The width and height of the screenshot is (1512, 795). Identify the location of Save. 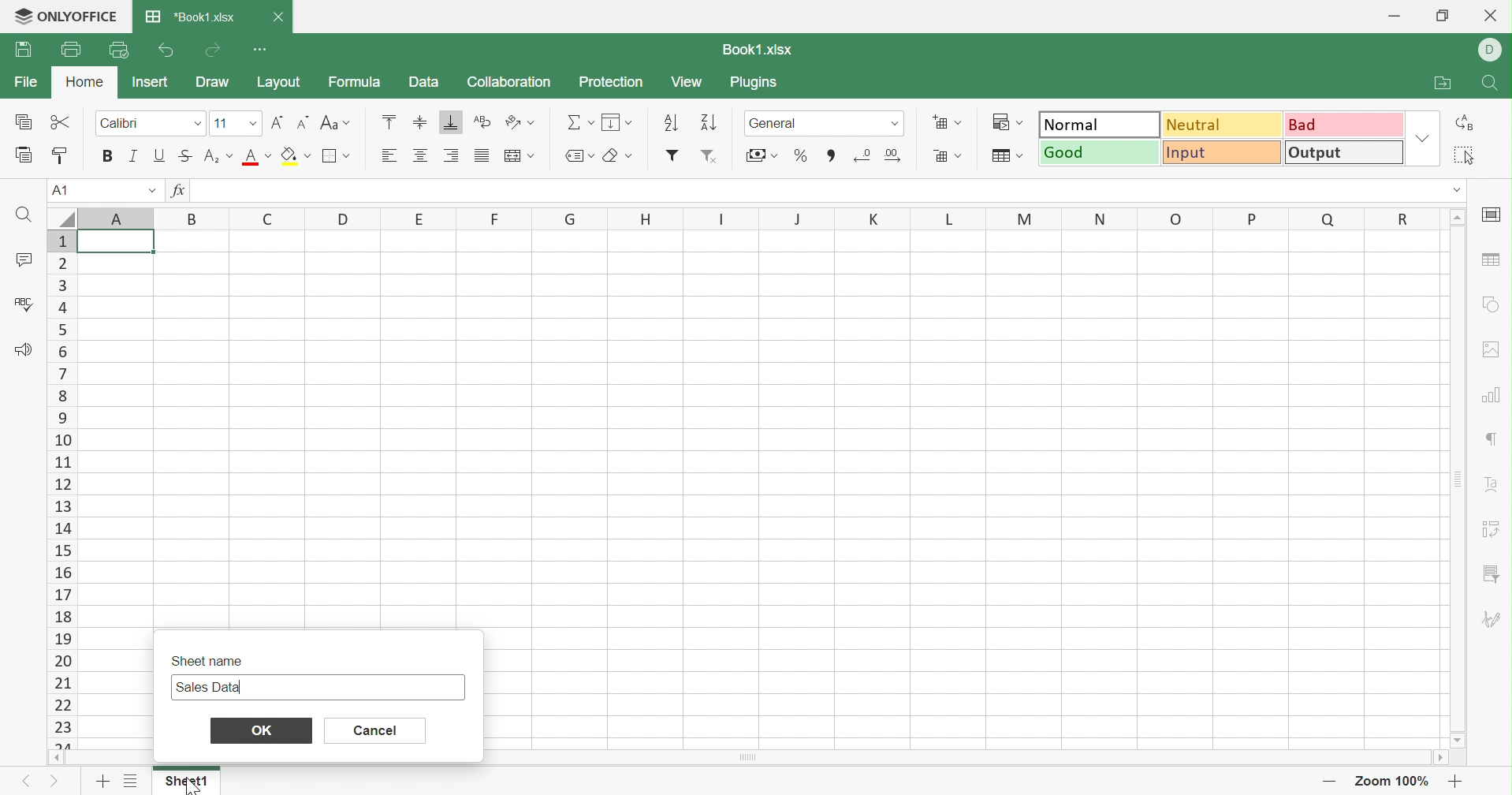
(21, 50).